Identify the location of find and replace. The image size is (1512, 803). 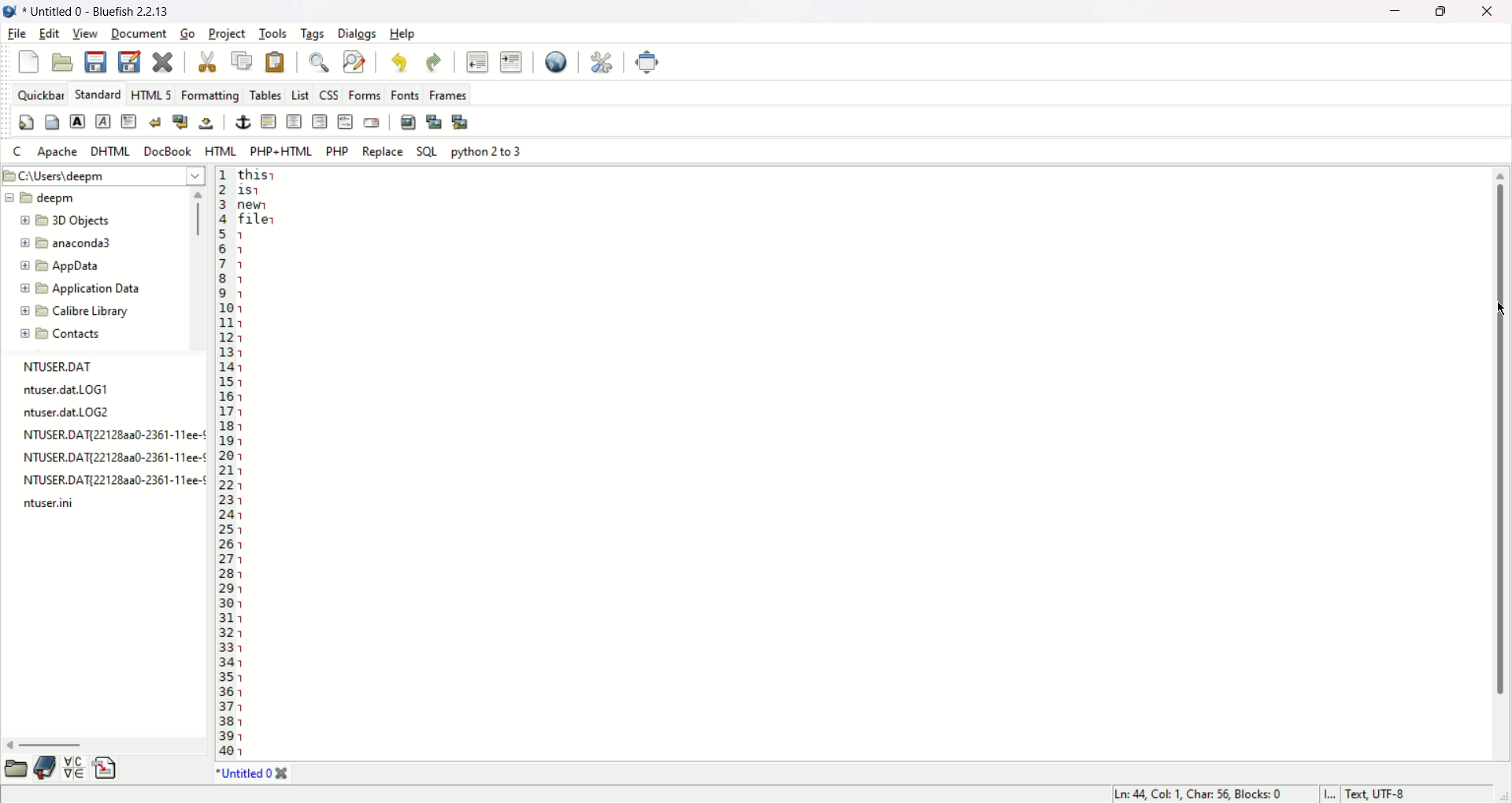
(354, 62).